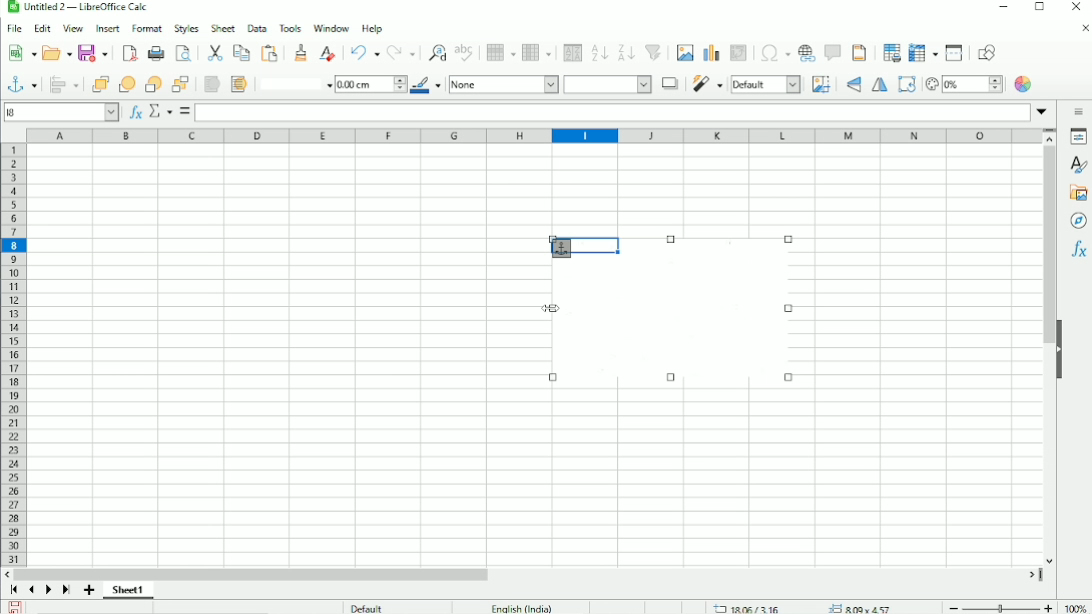 The image size is (1092, 614). What do you see at coordinates (133, 112) in the screenshot?
I see `Function wizard` at bounding box center [133, 112].